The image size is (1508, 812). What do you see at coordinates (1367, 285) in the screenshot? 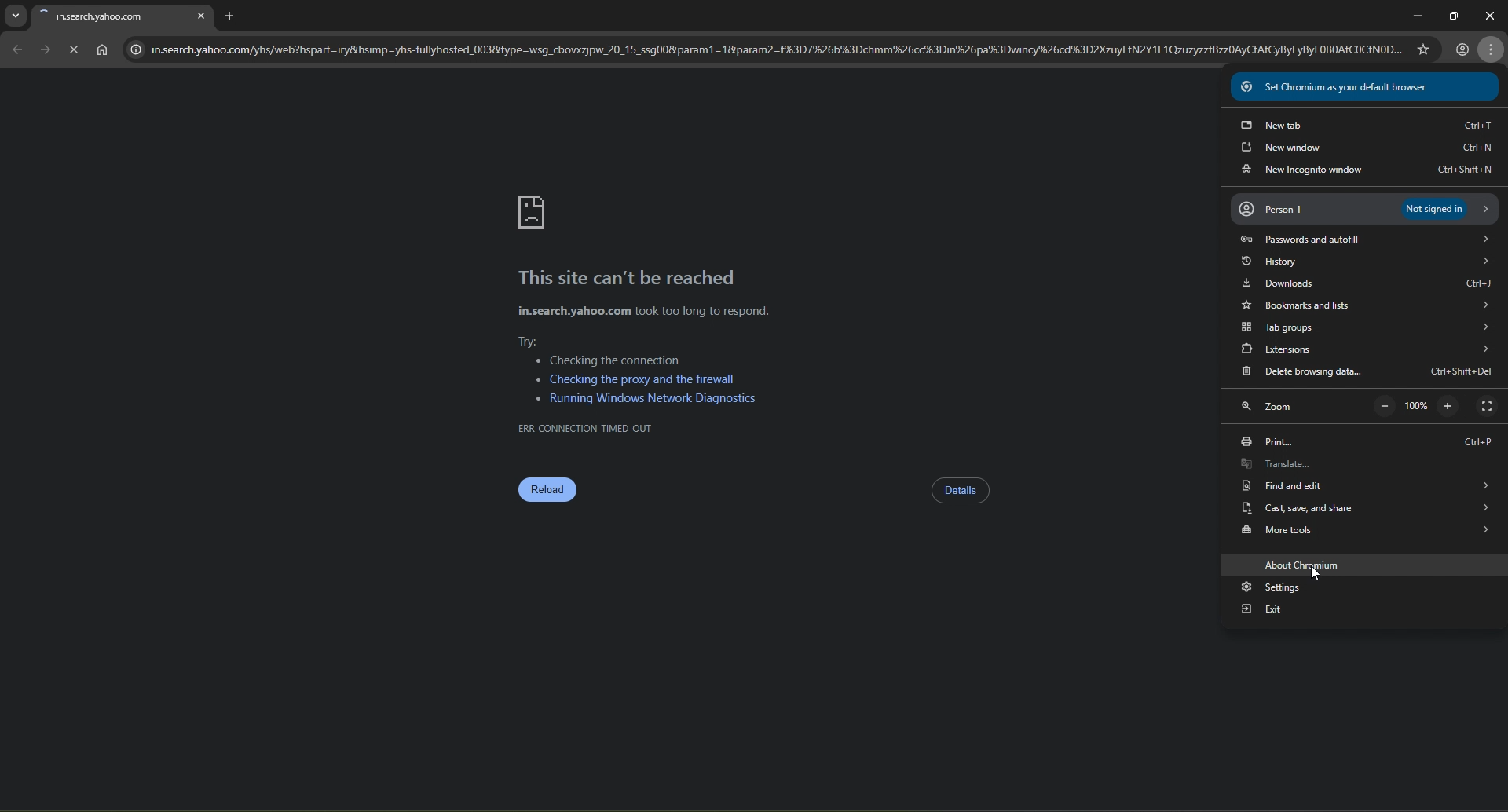
I see `Downloads` at bounding box center [1367, 285].